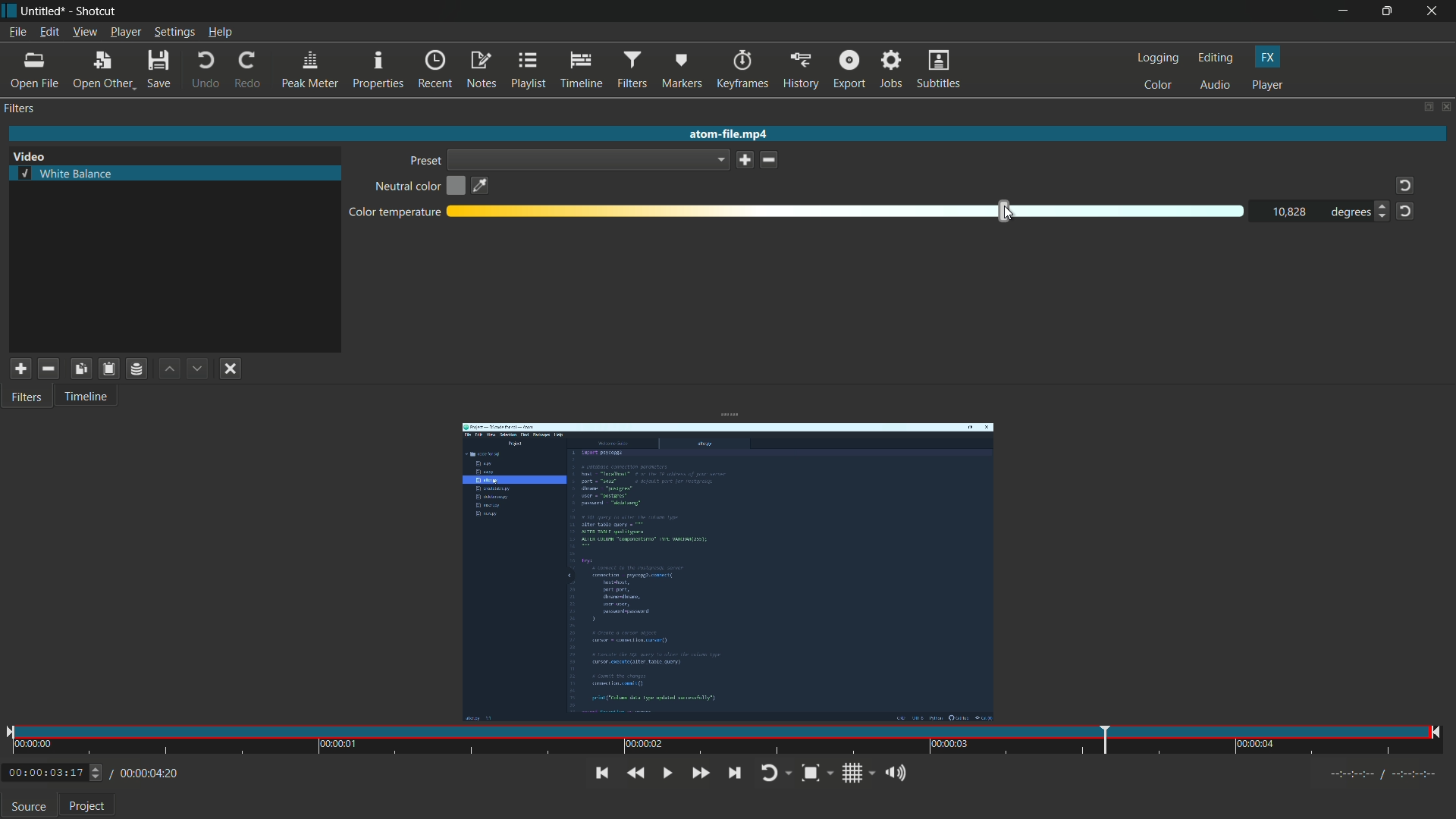  What do you see at coordinates (899, 772) in the screenshot?
I see `show volume control` at bounding box center [899, 772].